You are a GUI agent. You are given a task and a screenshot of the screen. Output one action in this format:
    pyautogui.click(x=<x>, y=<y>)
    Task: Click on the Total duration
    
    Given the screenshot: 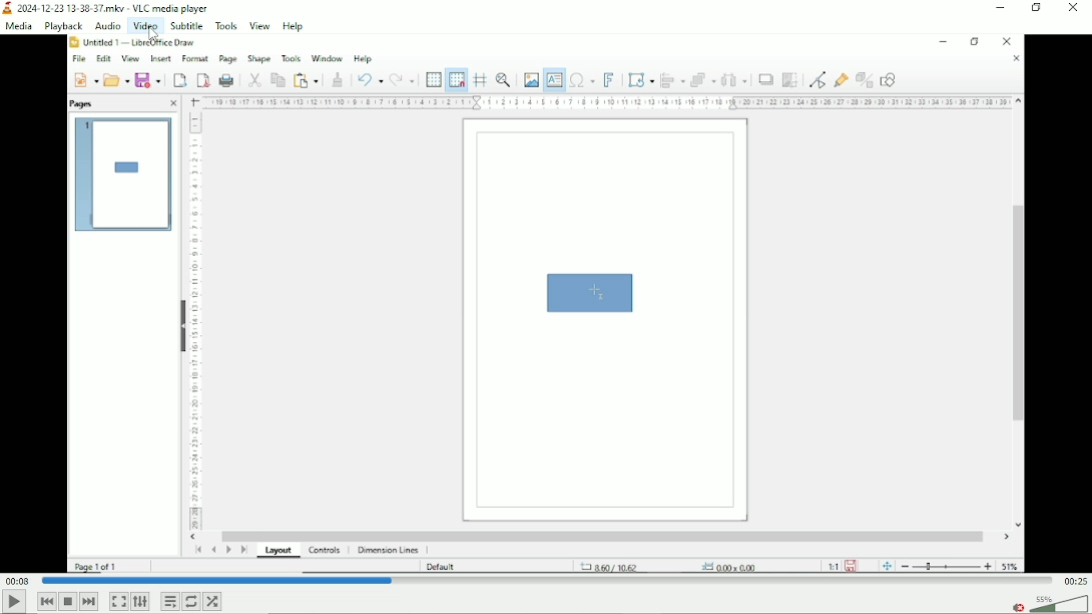 What is the action you would take?
    pyautogui.click(x=1074, y=580)
    